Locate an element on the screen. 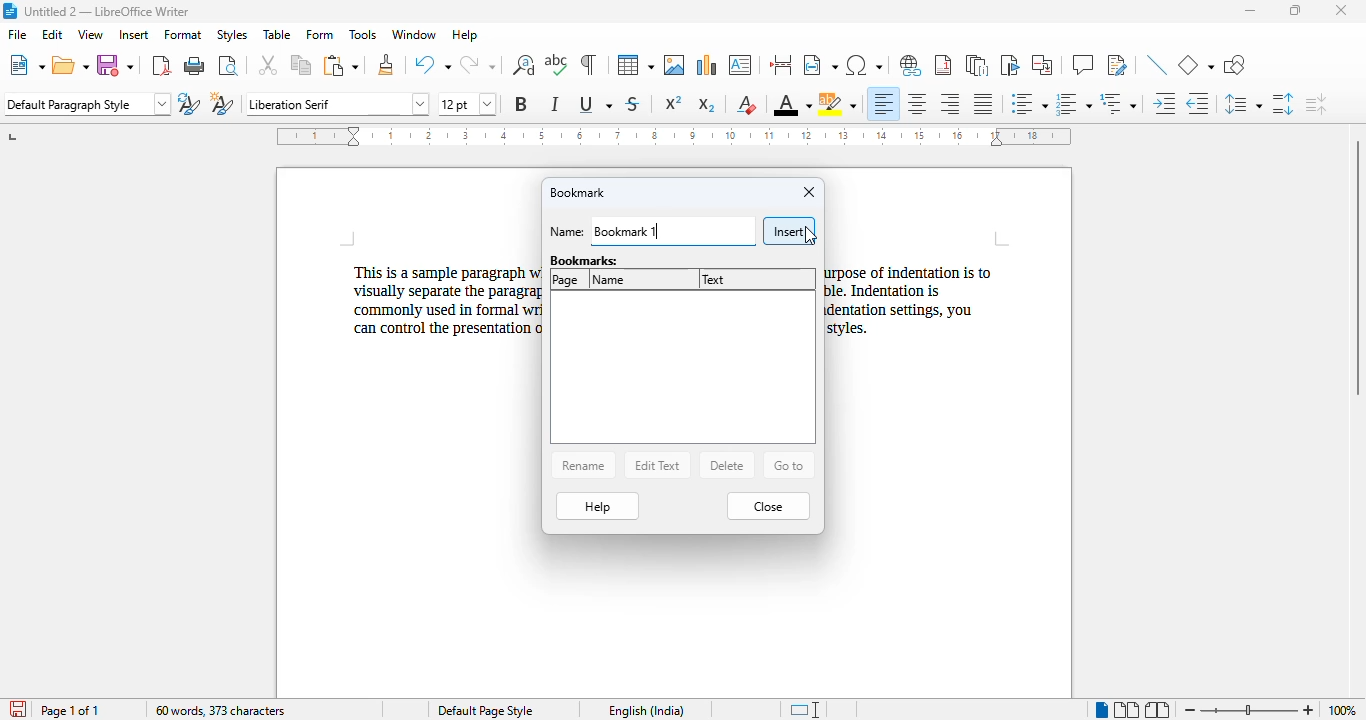  spelling is located at coordinates (557, 64).